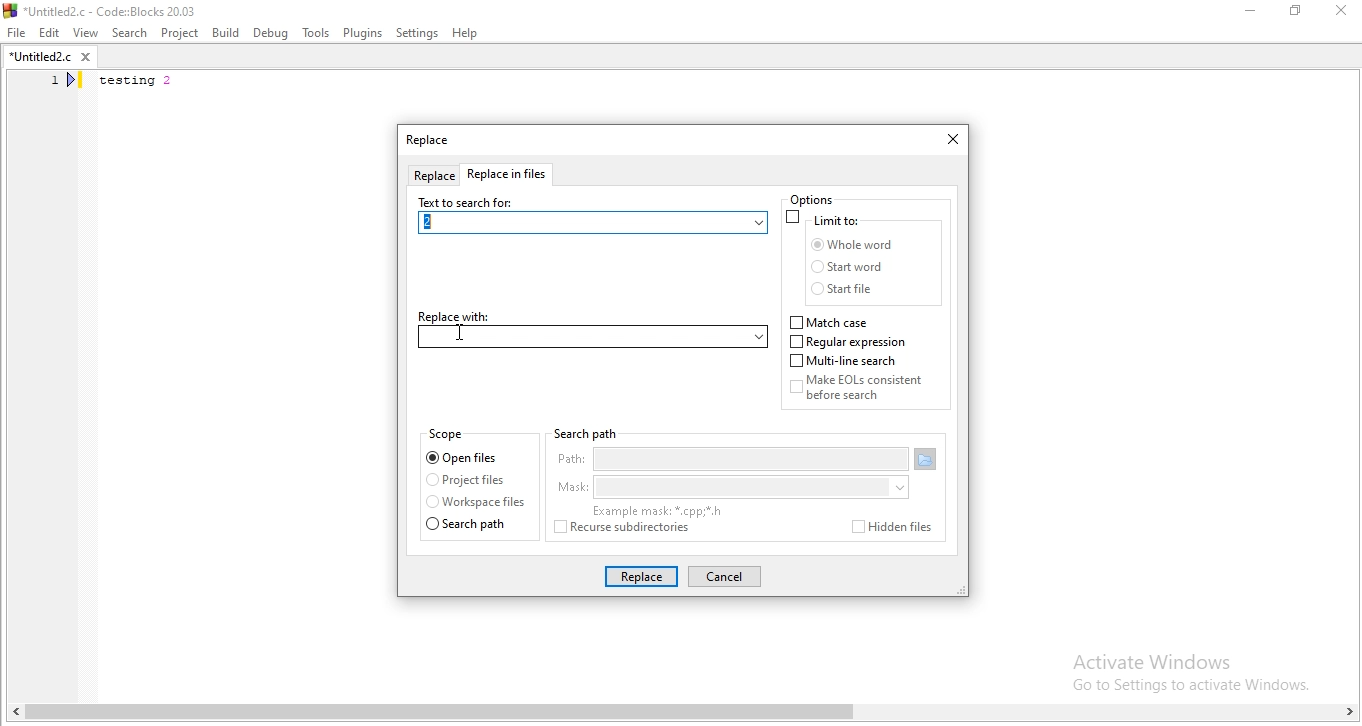  I want to click on start file, so click(847, 289).